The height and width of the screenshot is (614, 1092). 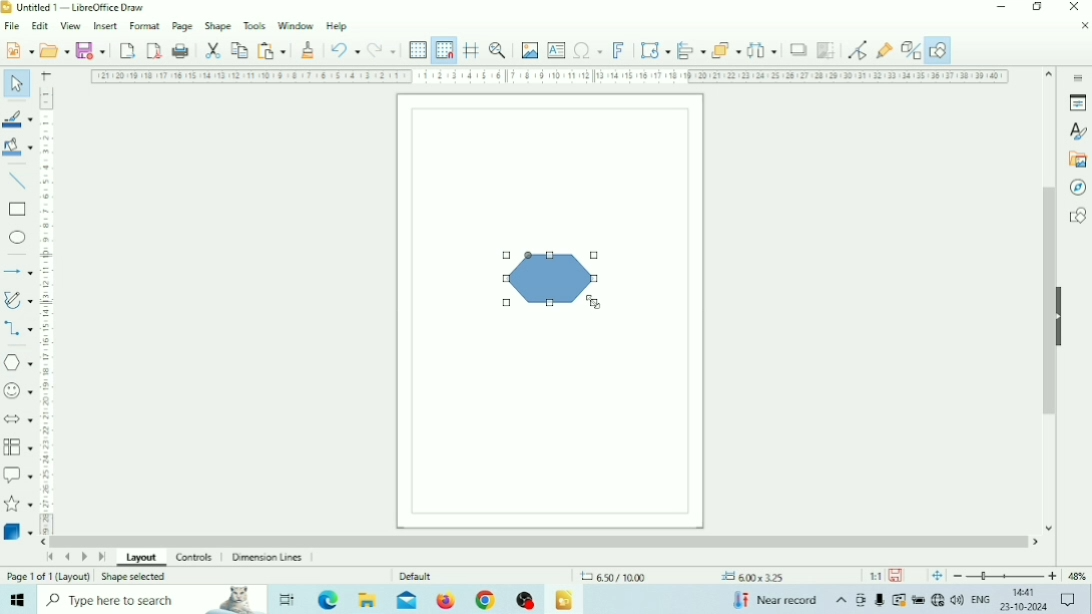 I want to click on Ellipse, so click(x=17, y=237).